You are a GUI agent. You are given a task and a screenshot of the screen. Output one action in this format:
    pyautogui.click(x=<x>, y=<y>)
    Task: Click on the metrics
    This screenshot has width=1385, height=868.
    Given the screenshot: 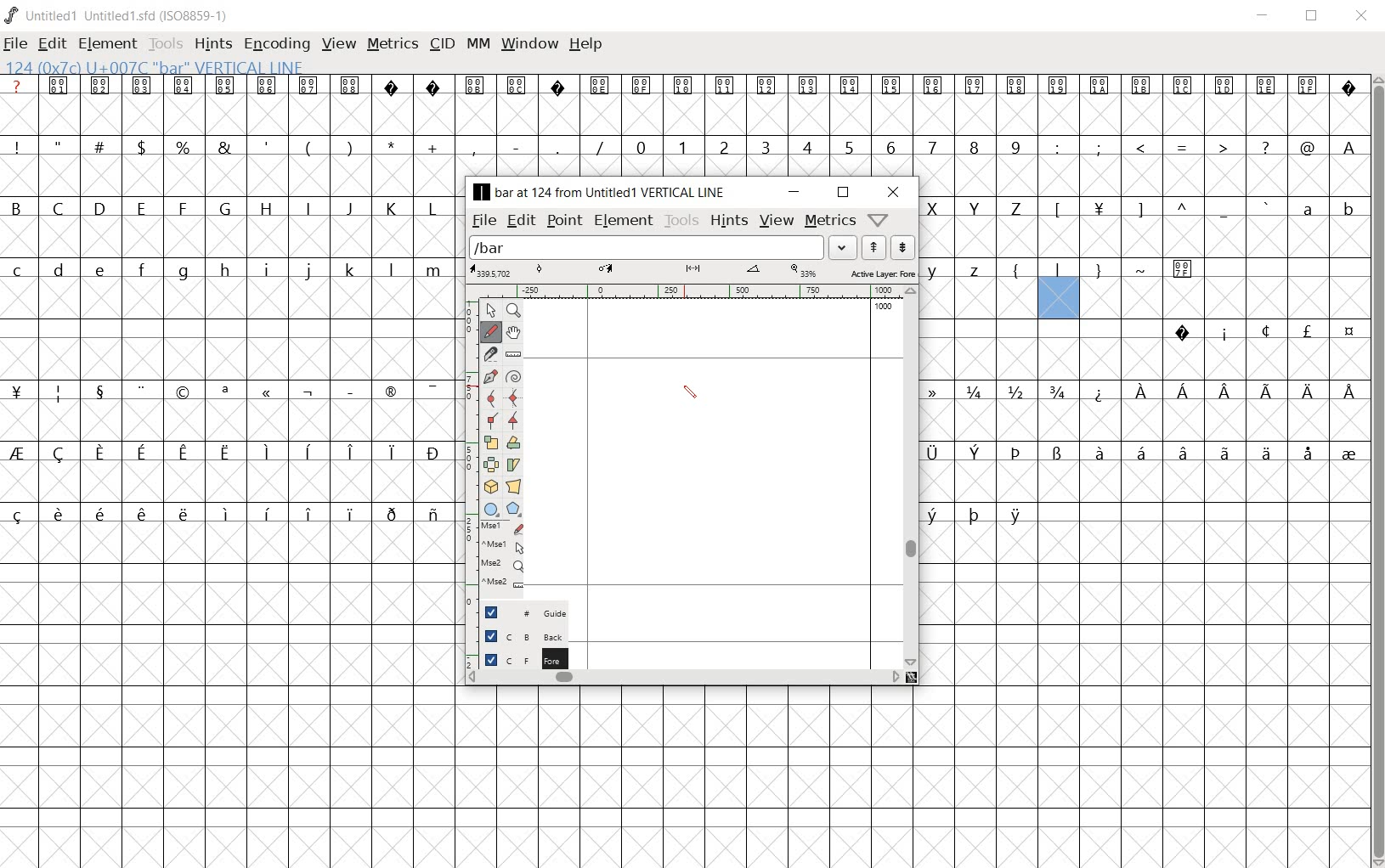 What is the action you would take?
    pyautogui.click(x=830, y=219)
    